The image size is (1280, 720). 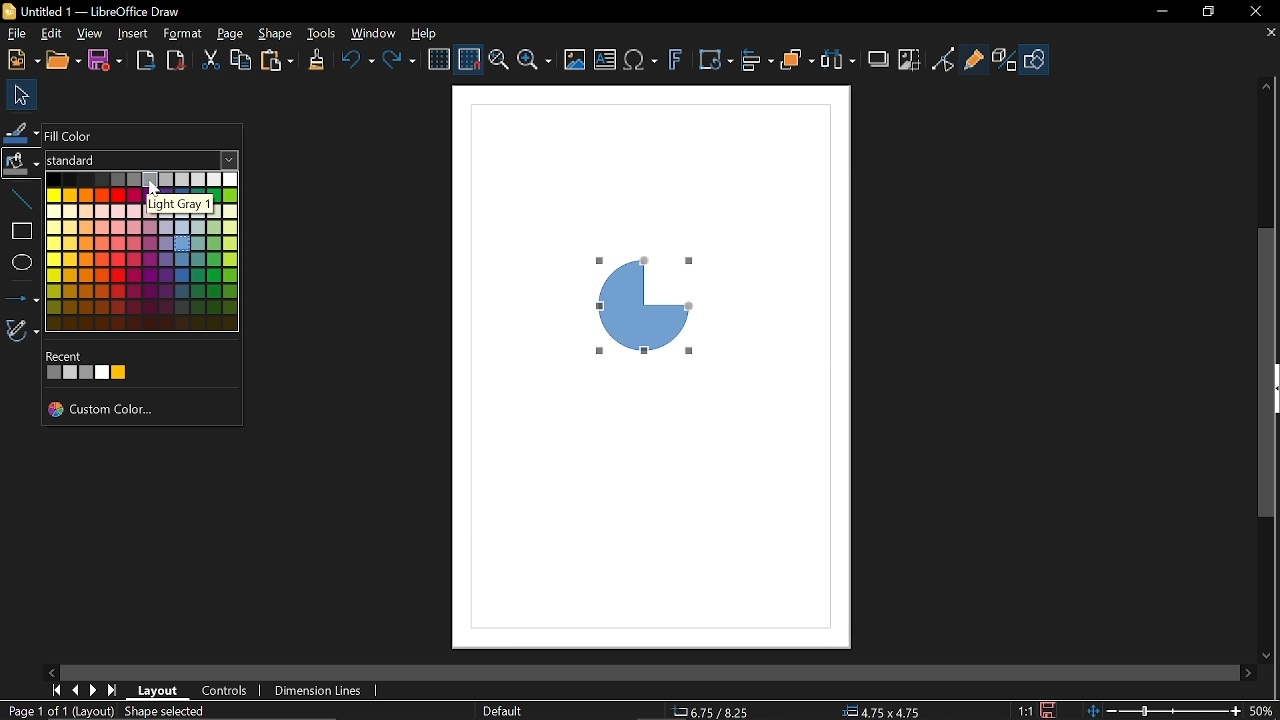 What do you see at coordinates (400, 62) in the screenshot?
I see `Redo` at bounding box center [400, 62].